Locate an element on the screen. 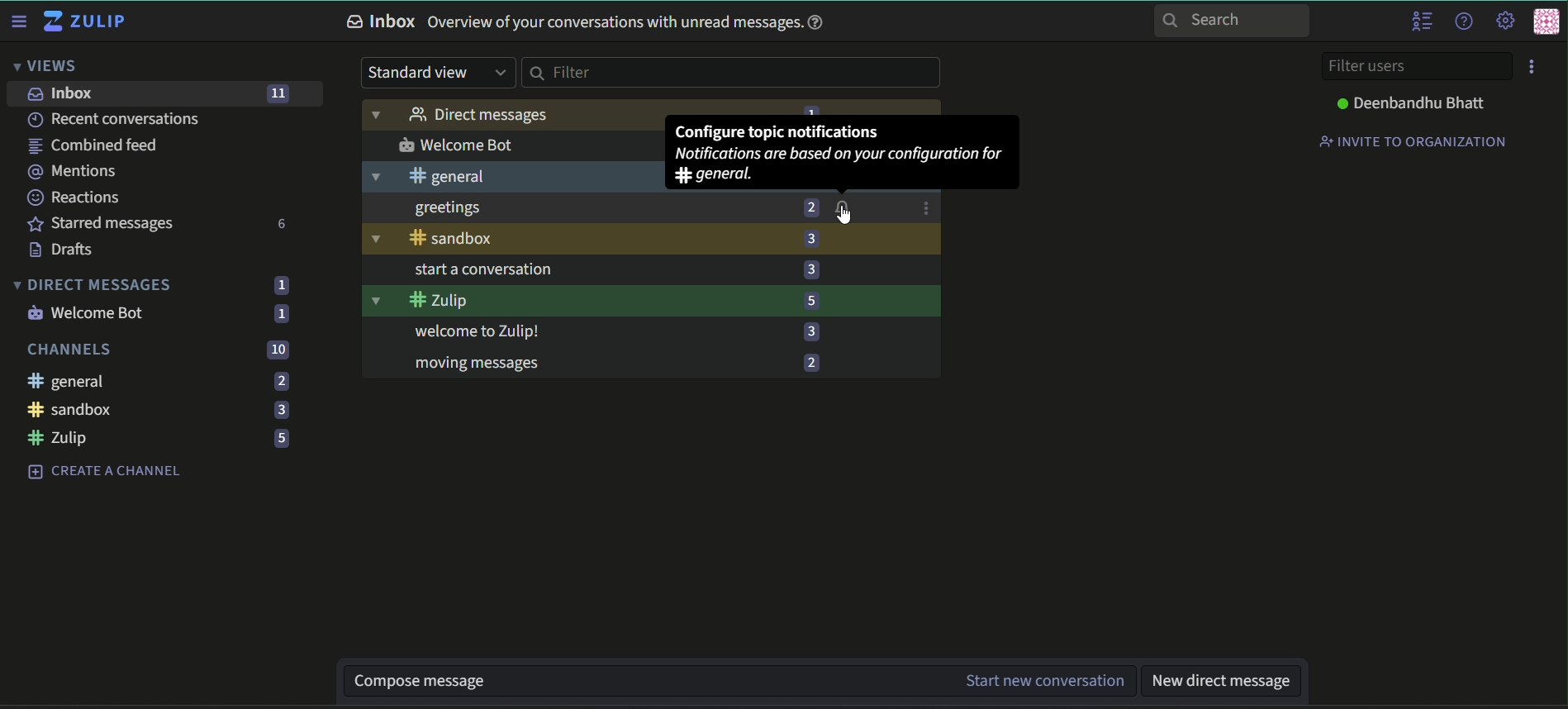 The width and height of the screenshot is (1568, 709). numbers is located at coordinates (281, 314).